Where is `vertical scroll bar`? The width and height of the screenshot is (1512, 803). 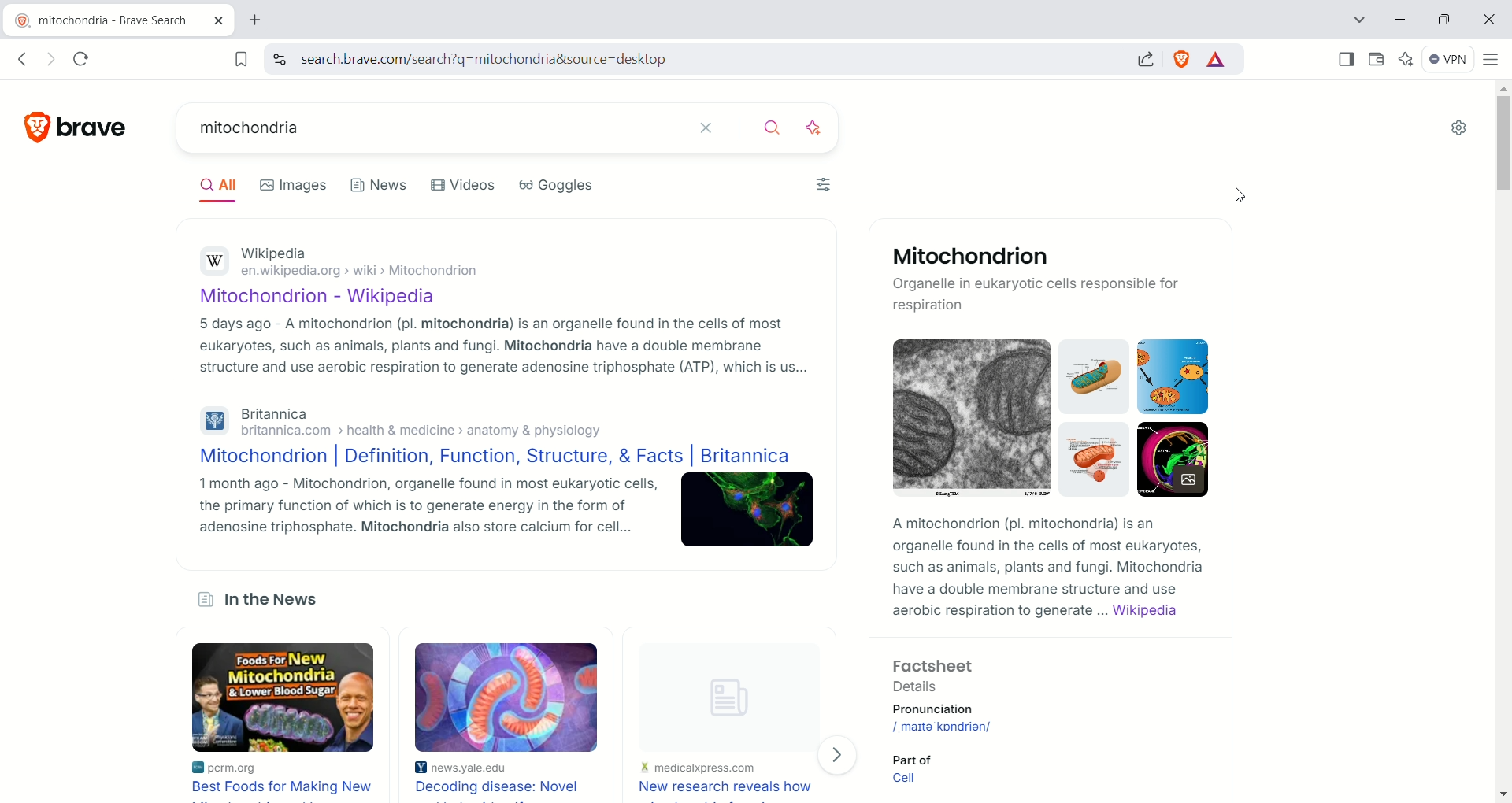
vertical scroll bar is located at coordinates (1503, 442).